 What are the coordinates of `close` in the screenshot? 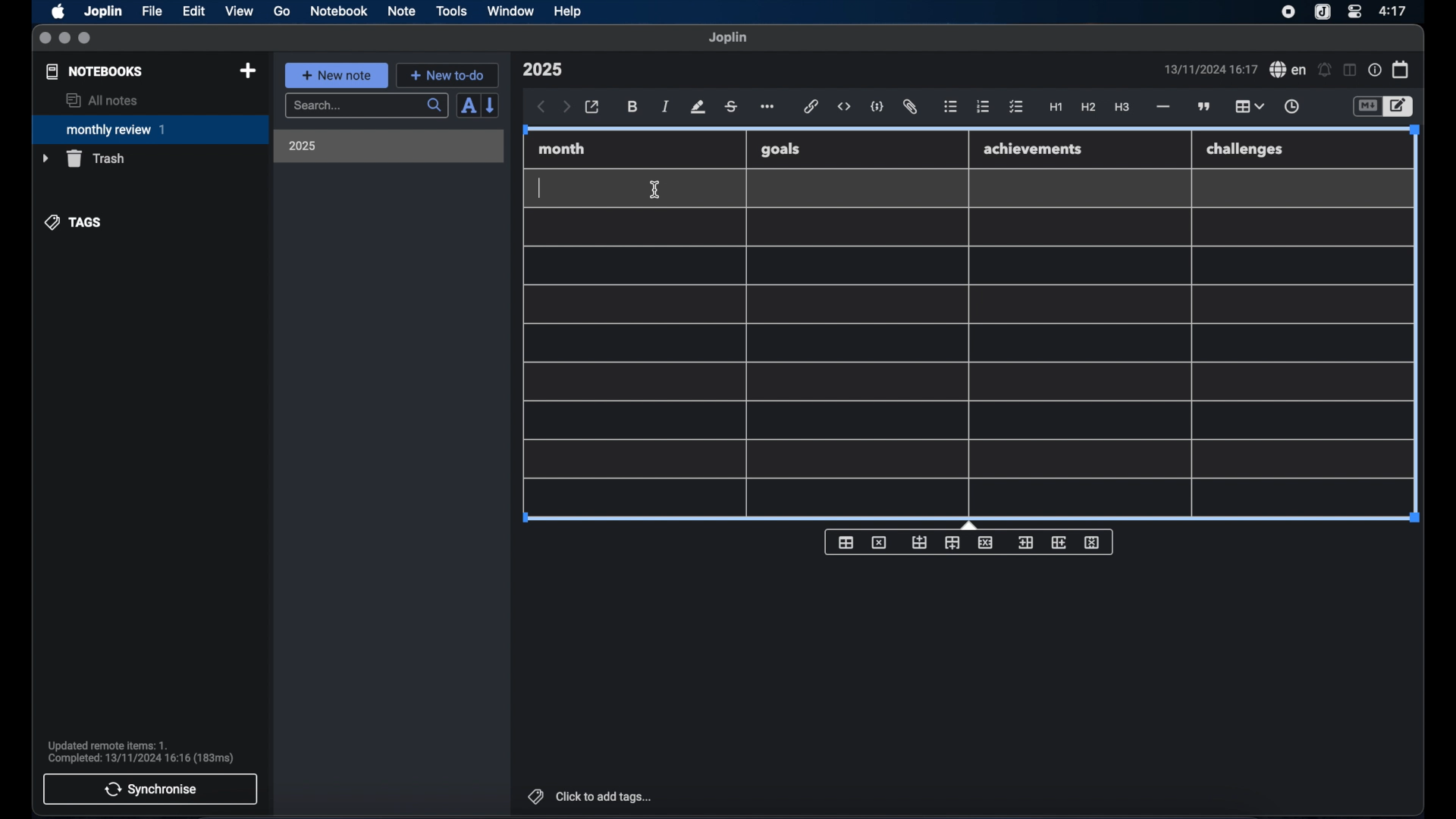 It's located at (45, 39).